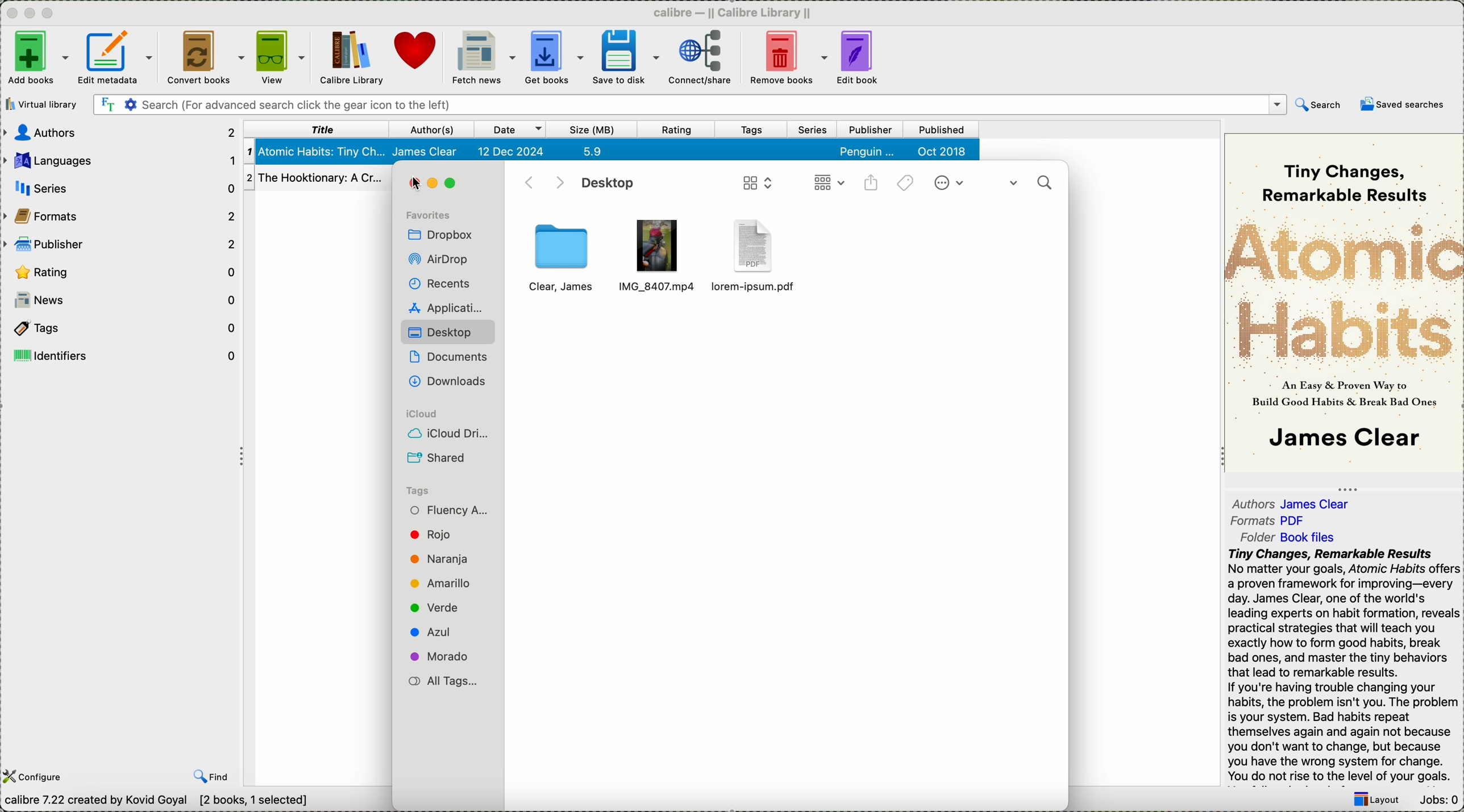 The width and height of the screenshot is (1464, 812). What do you see at coordinates (442, 560) in the screenshot?
I see `tag` at bounding box center [442, 560].